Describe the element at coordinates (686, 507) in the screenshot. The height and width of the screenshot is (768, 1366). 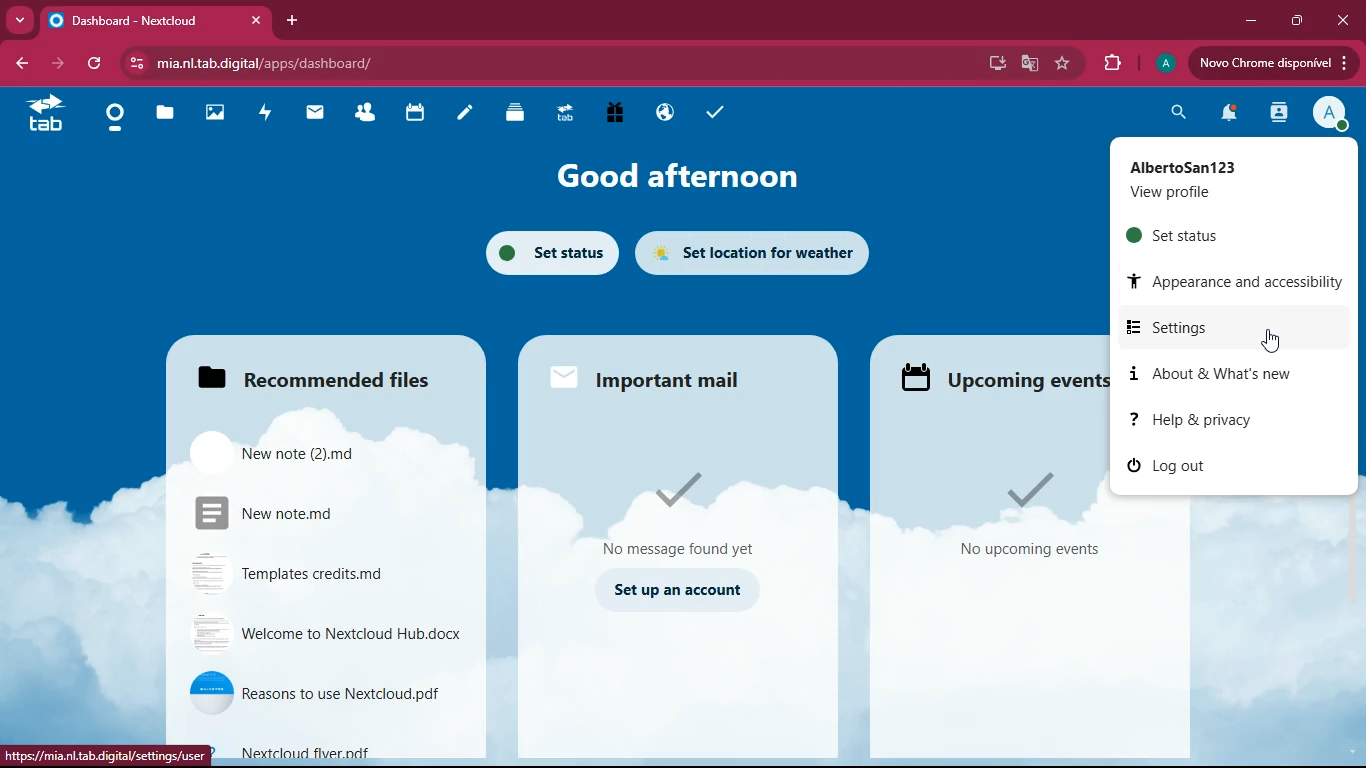
I see `mail` at that location.